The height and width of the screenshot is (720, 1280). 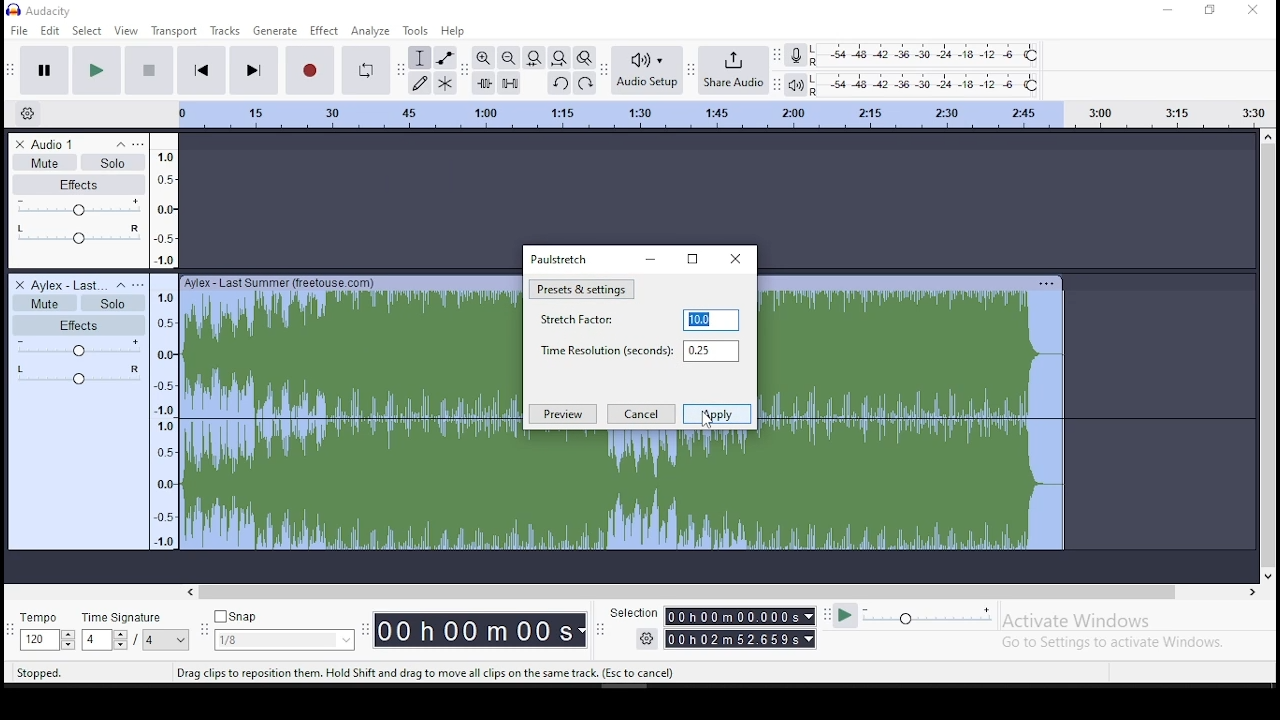 What do you see at coordinates (713, 627) in the screenshot?
I see `selection` at bounding box center [713, 627].